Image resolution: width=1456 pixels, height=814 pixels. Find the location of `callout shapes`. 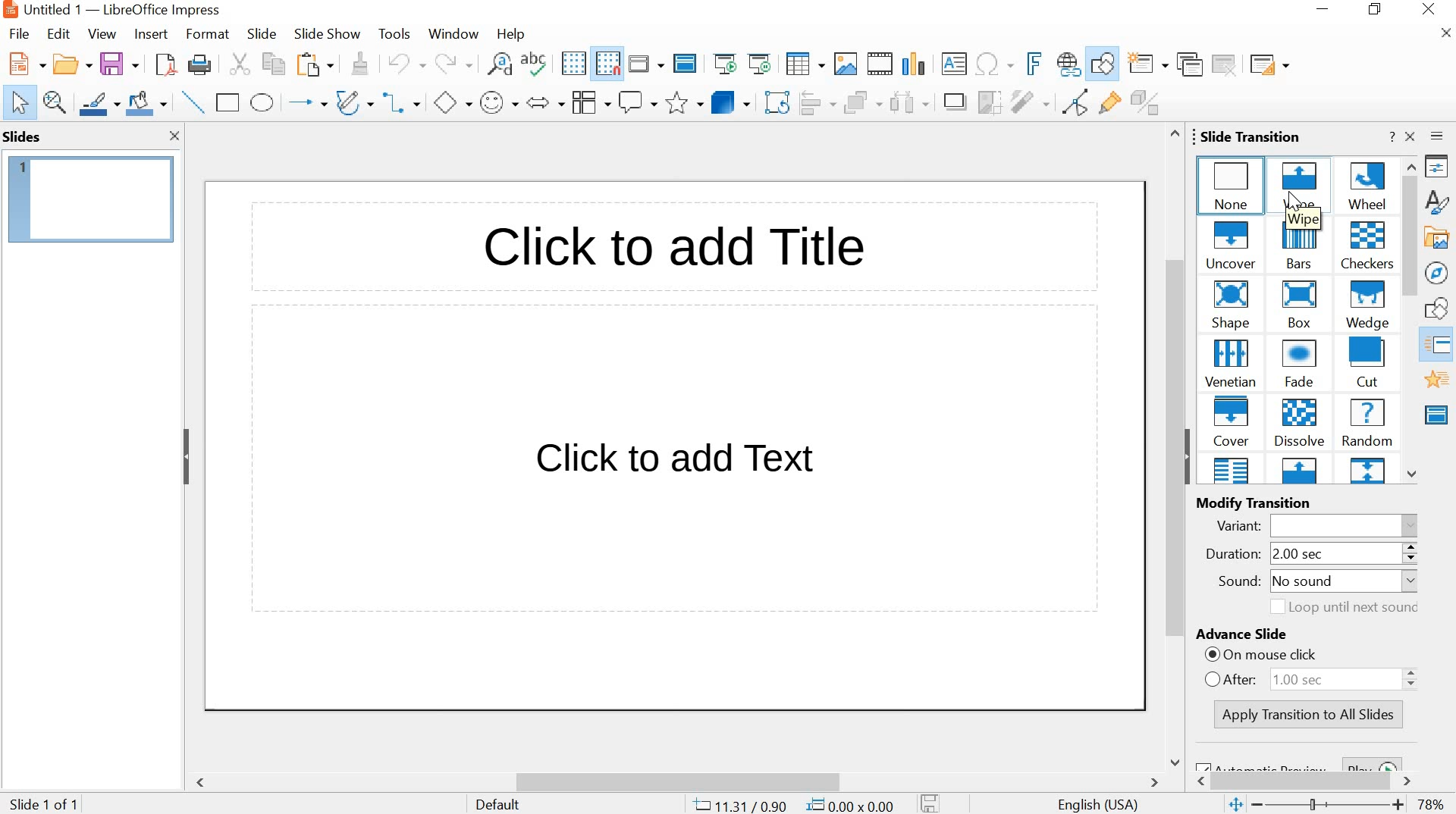

callout shapes is located at coordinates (637, 102).